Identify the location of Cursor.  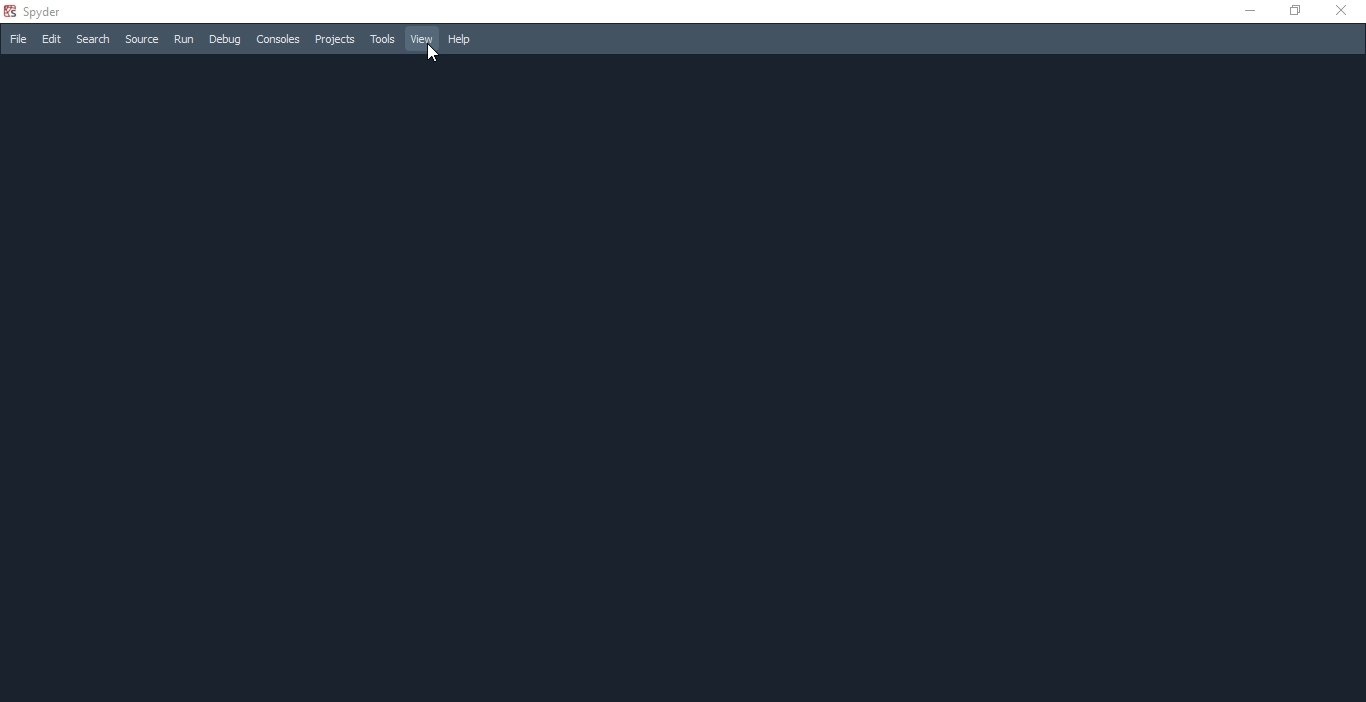
(433, 52).